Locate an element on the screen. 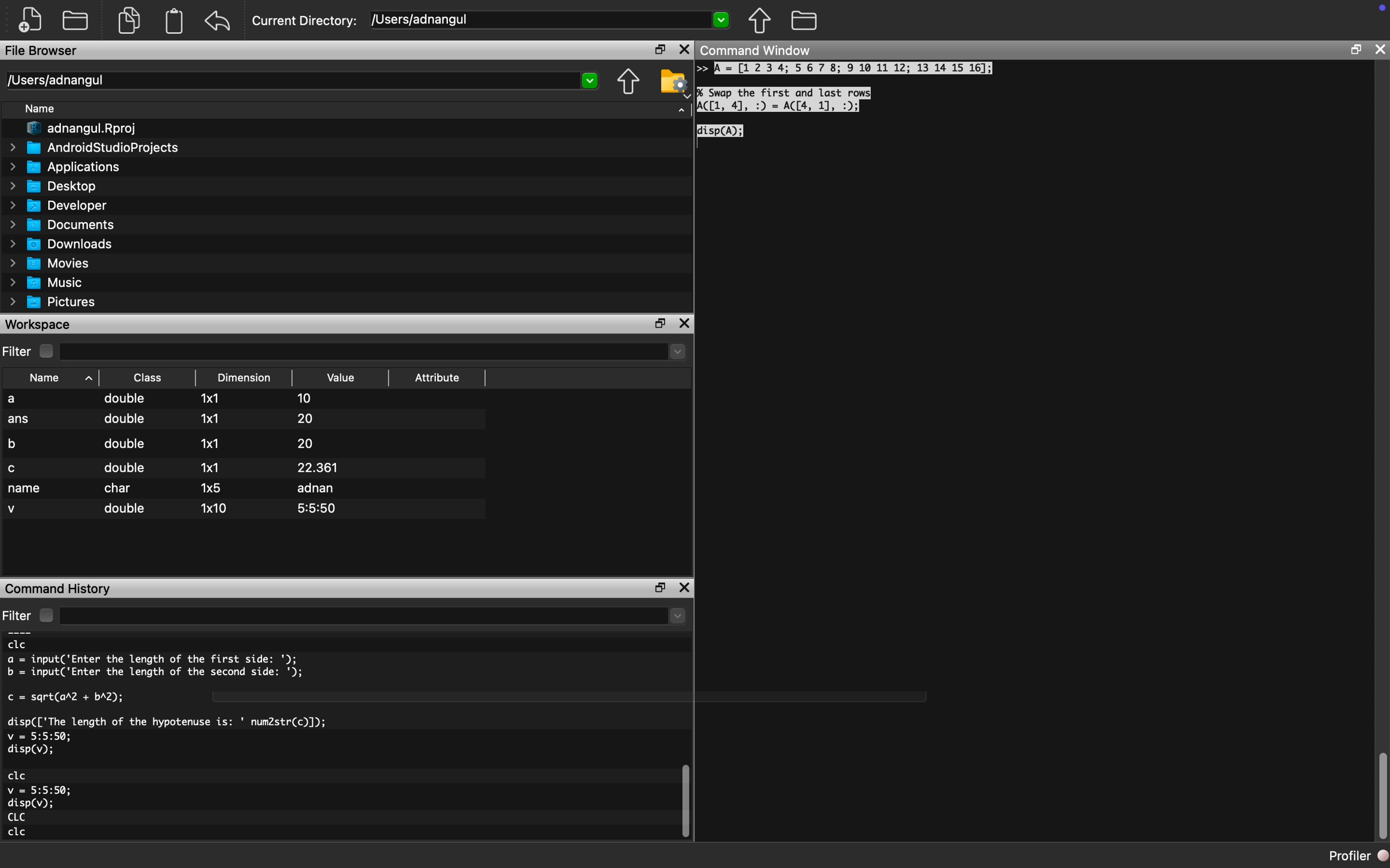  Hide is located at coordinates (682, 114).